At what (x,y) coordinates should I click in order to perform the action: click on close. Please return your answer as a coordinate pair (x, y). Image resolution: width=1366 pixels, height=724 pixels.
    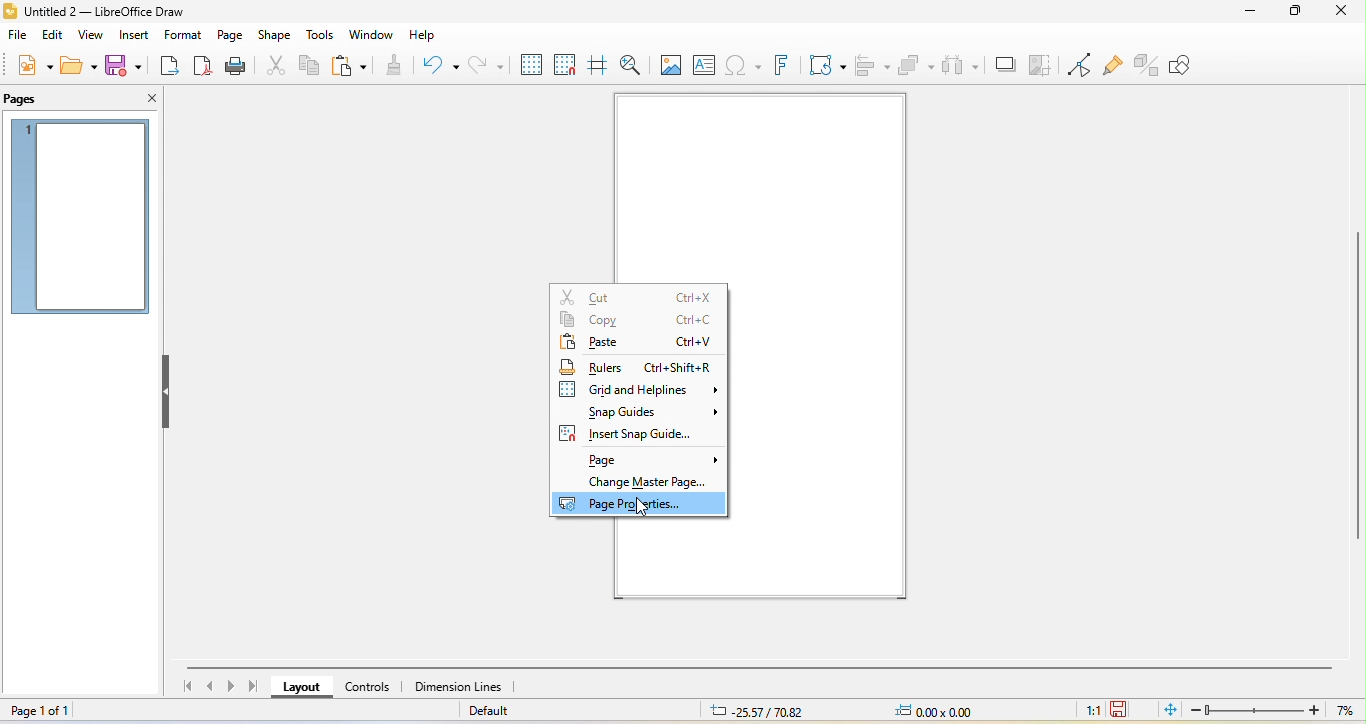
    Looking at the image, I should click on (1340, 11).